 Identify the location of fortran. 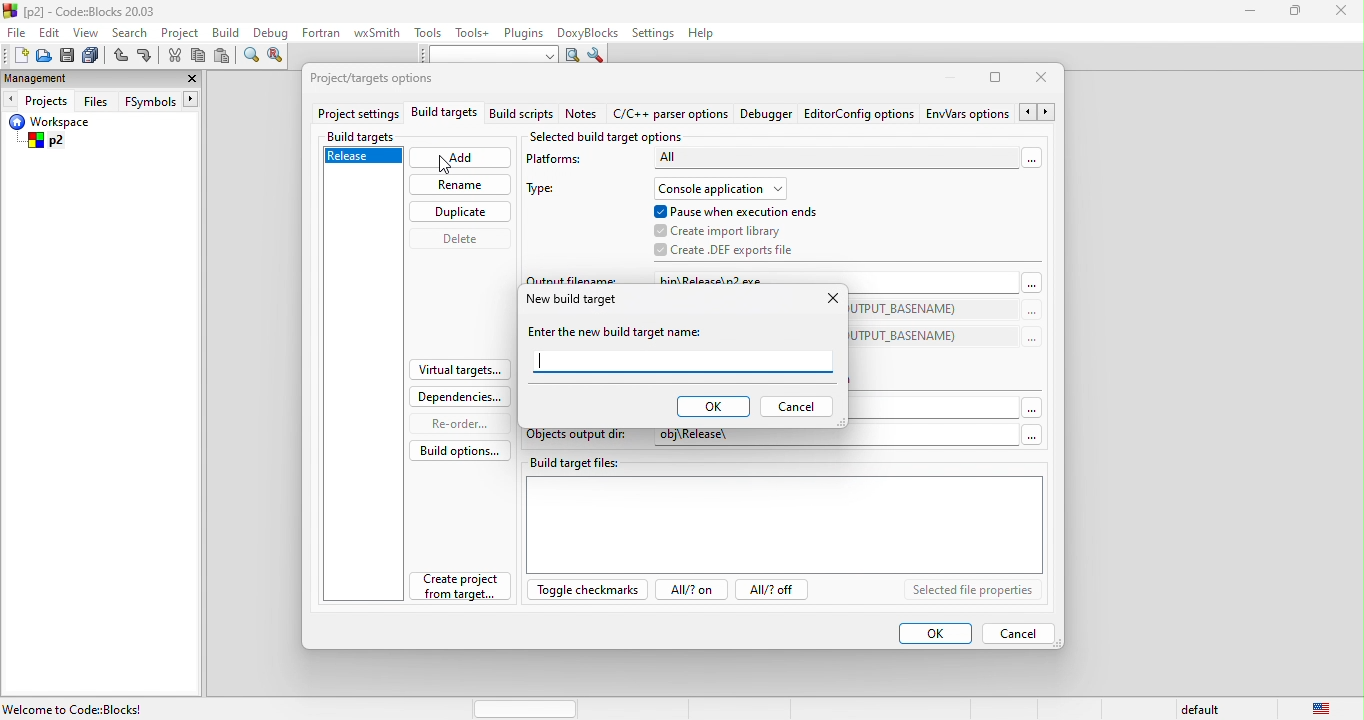
(323, 32).